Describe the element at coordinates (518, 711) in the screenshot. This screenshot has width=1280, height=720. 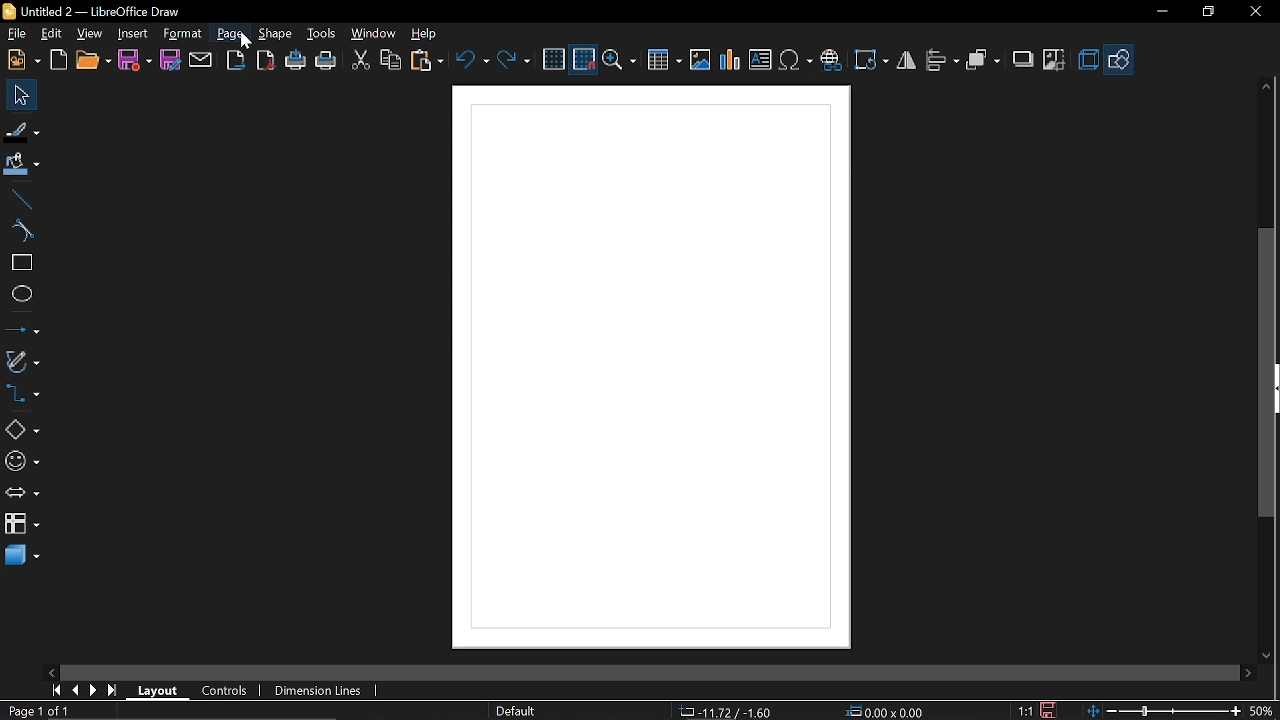
I see `Page Style` at that location.